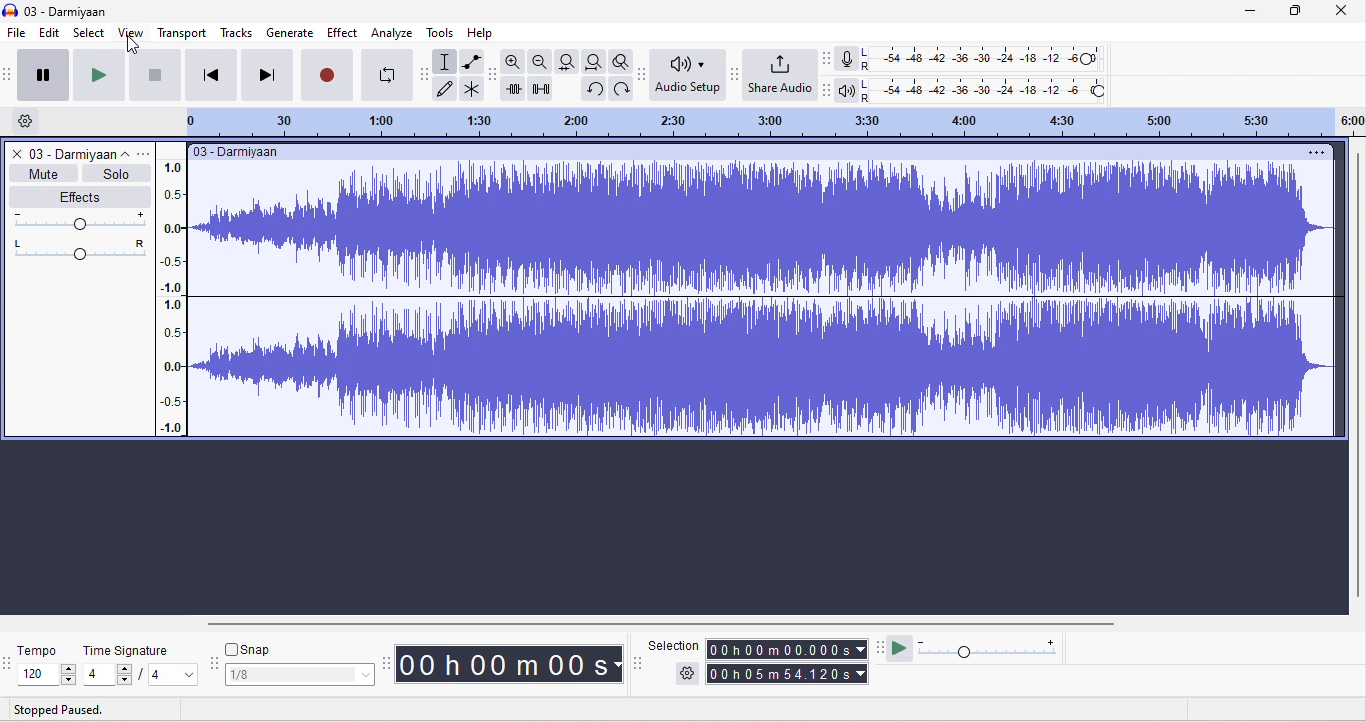 This screenshot has height=722, width=1366. Describe the element at coordinates (131, 44) in the screenshot. I see `cursor` at that location.